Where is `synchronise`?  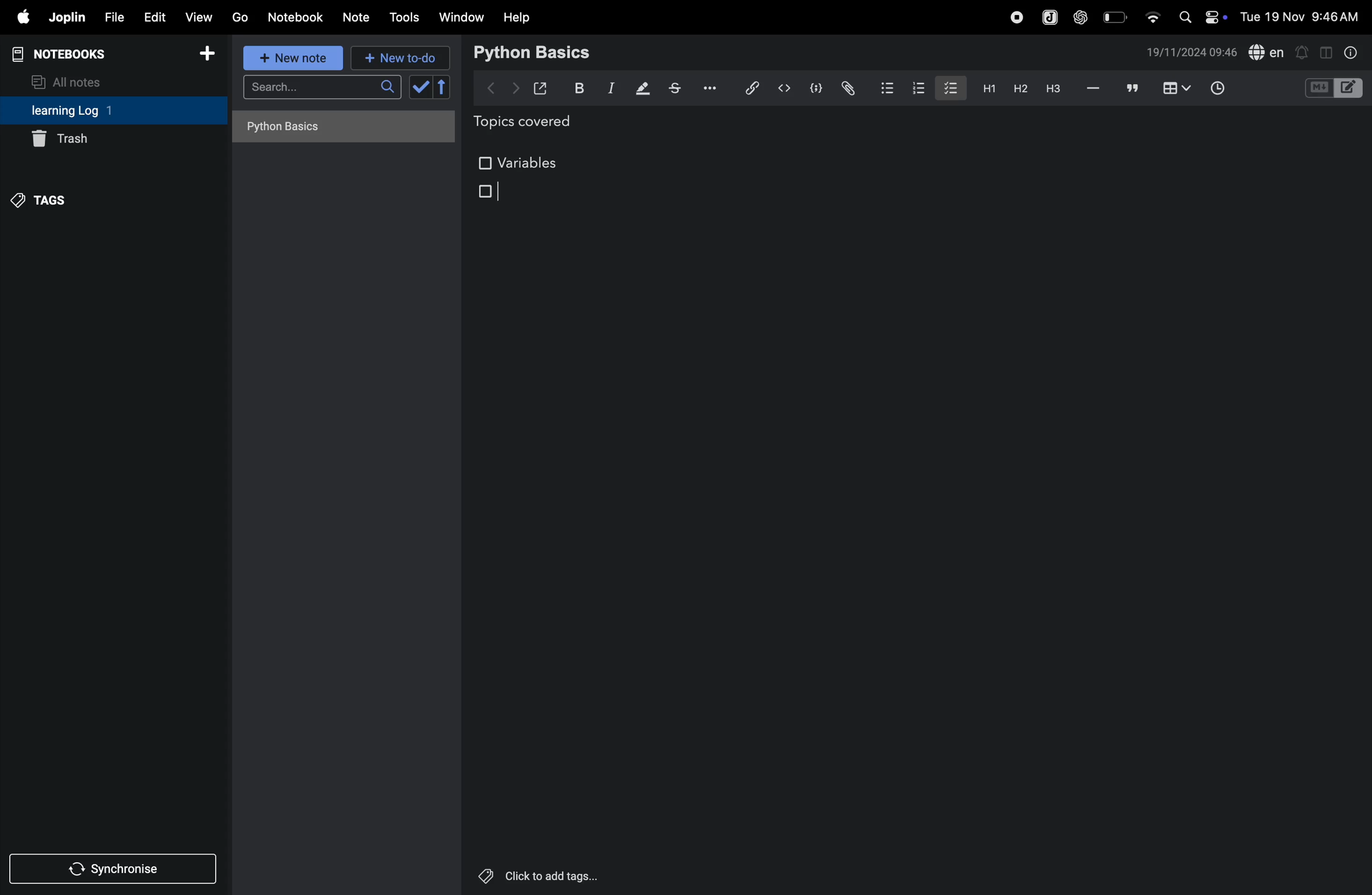 synchronise is located at coordinates (115, 870).